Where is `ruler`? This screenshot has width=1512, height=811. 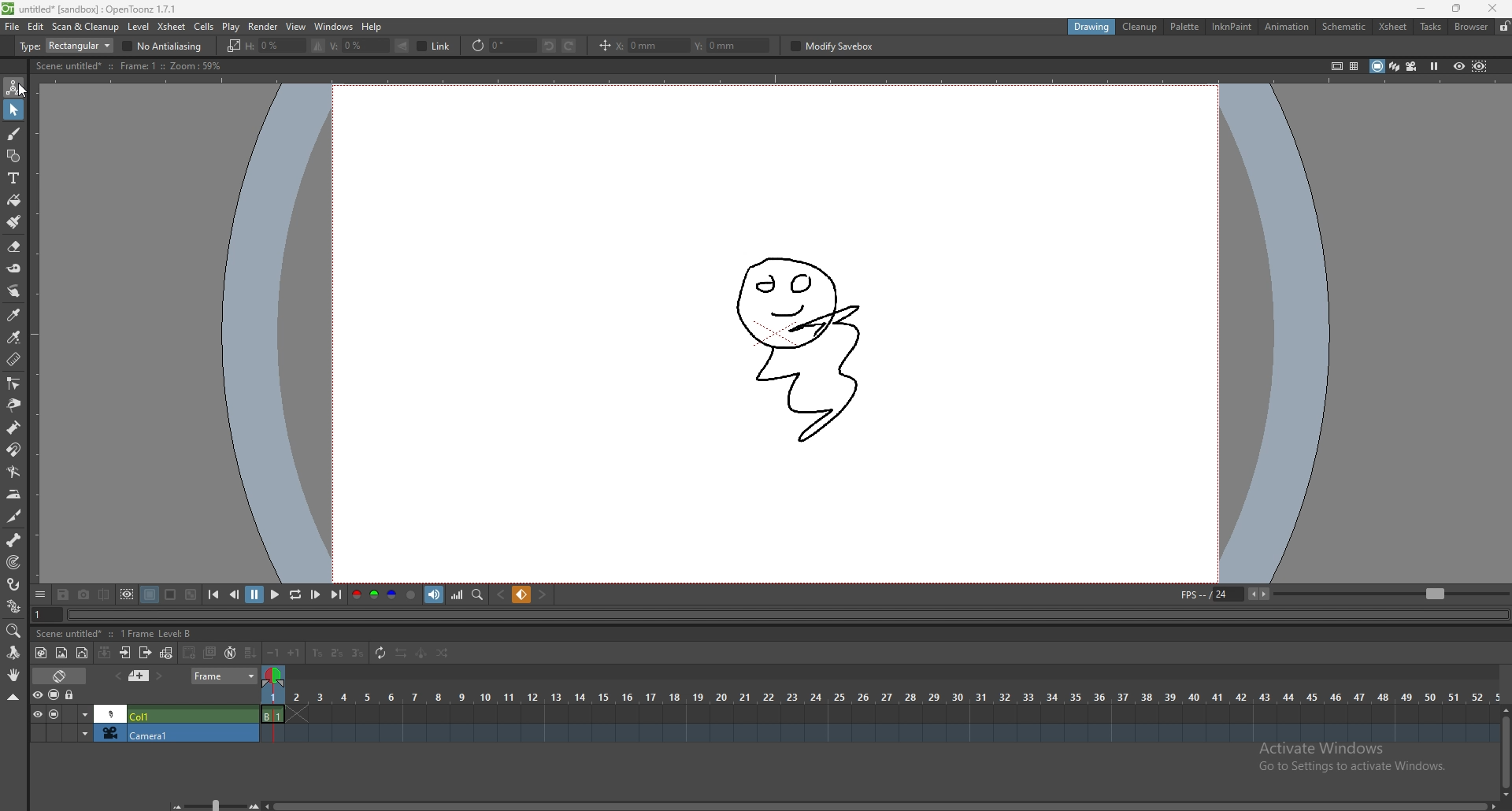
ruler is located at coordinates (13, 358).